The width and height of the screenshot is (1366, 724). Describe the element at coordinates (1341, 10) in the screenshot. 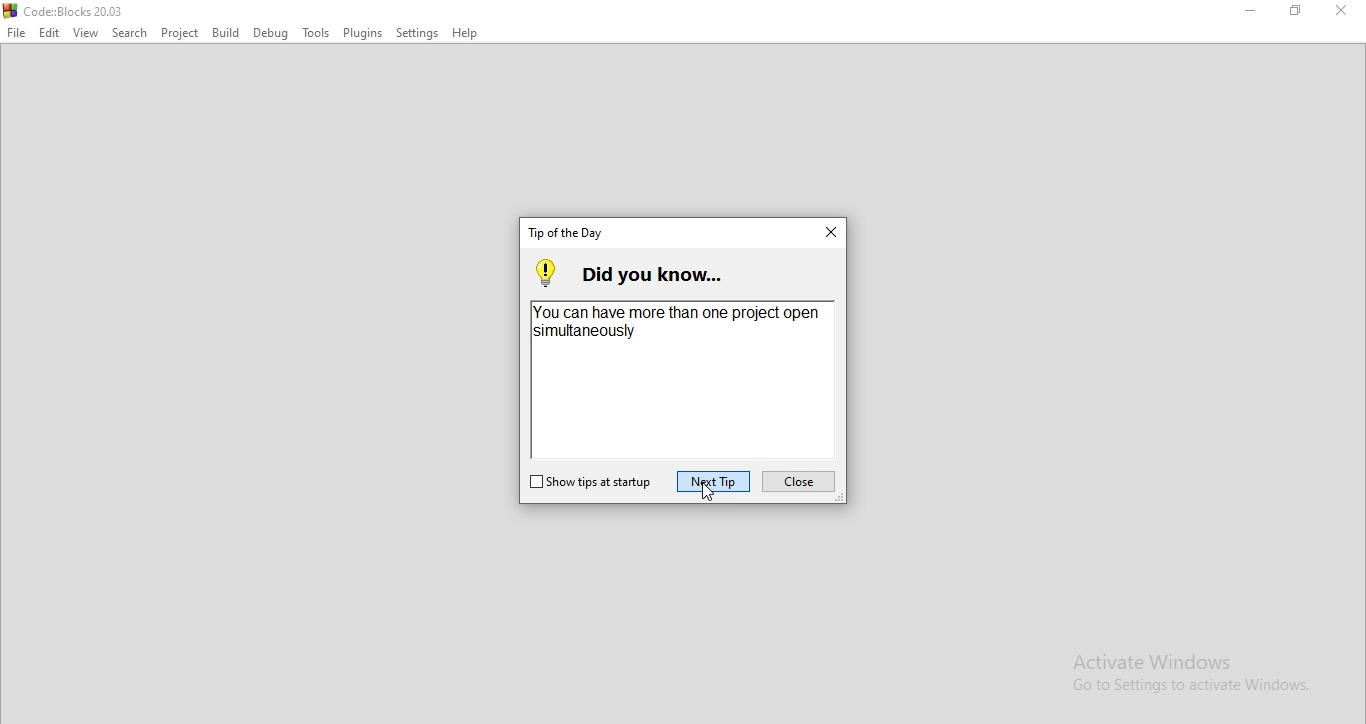

I see `Close` at that location.